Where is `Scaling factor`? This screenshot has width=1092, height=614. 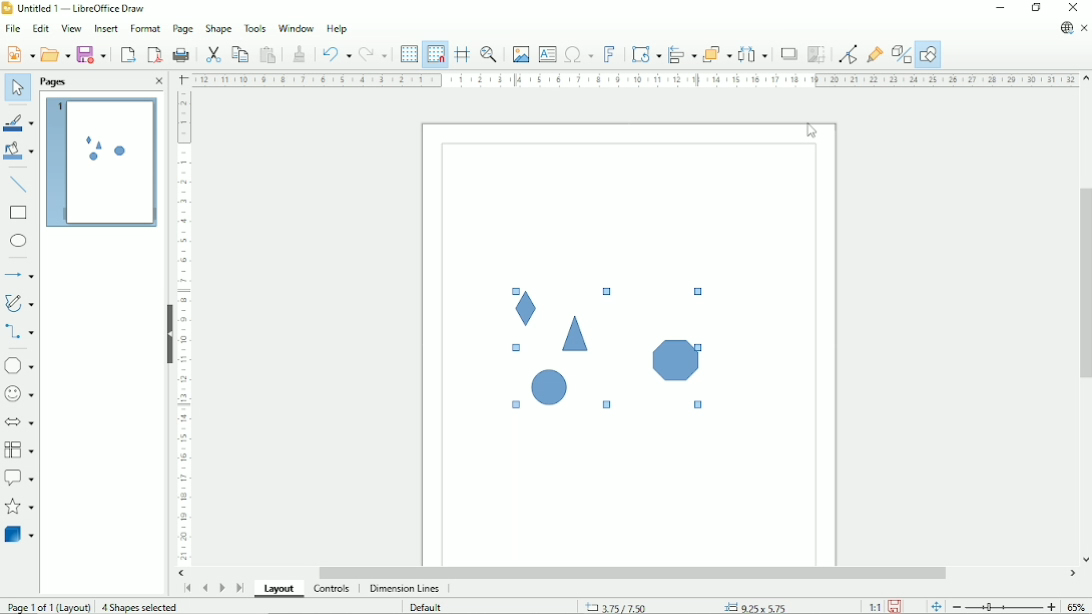
Scaling factor is located at coordinates (874, 606).